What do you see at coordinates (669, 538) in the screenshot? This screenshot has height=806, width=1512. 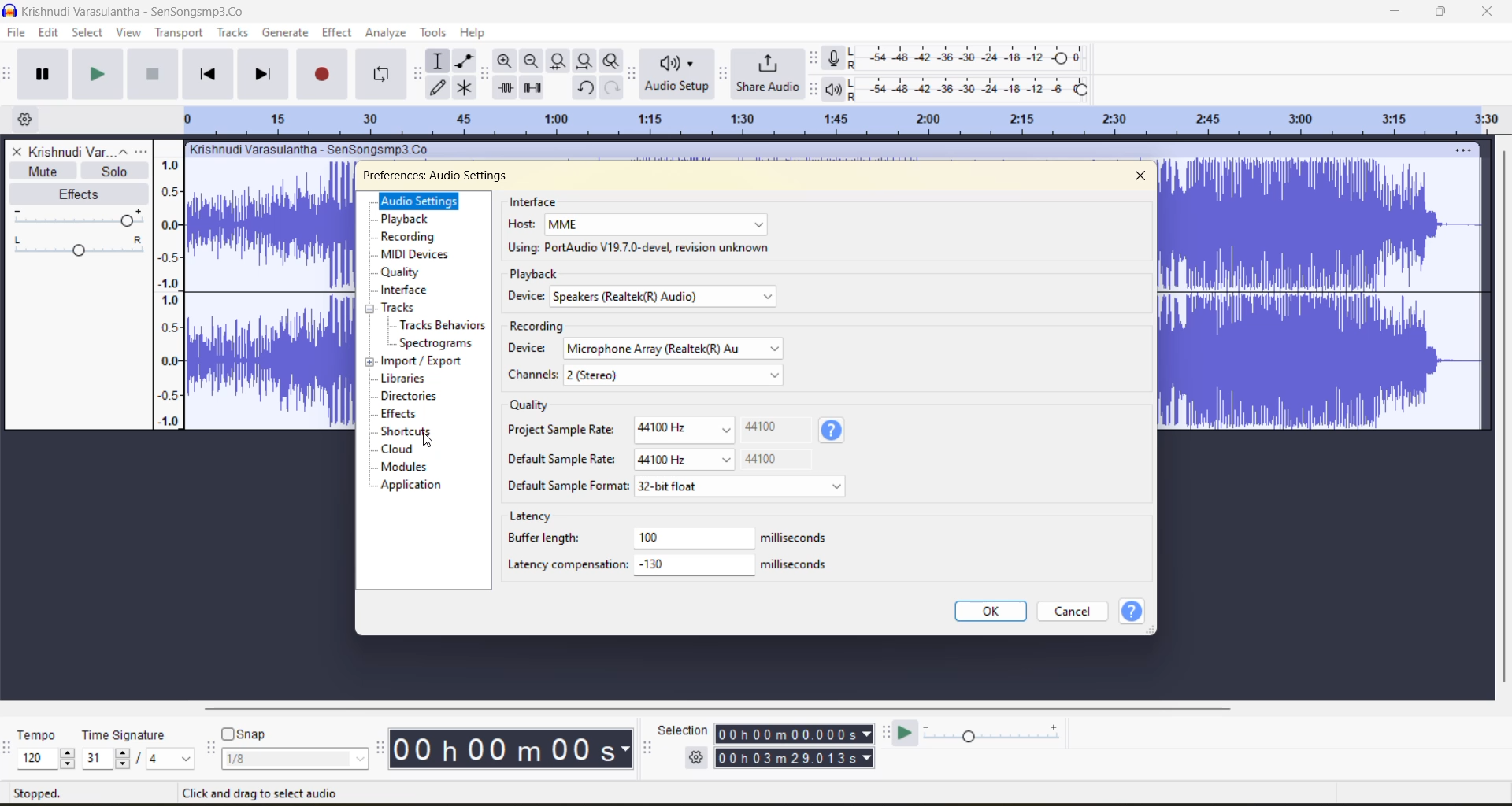 I see `buffer length` at bounding box center [669, 538].